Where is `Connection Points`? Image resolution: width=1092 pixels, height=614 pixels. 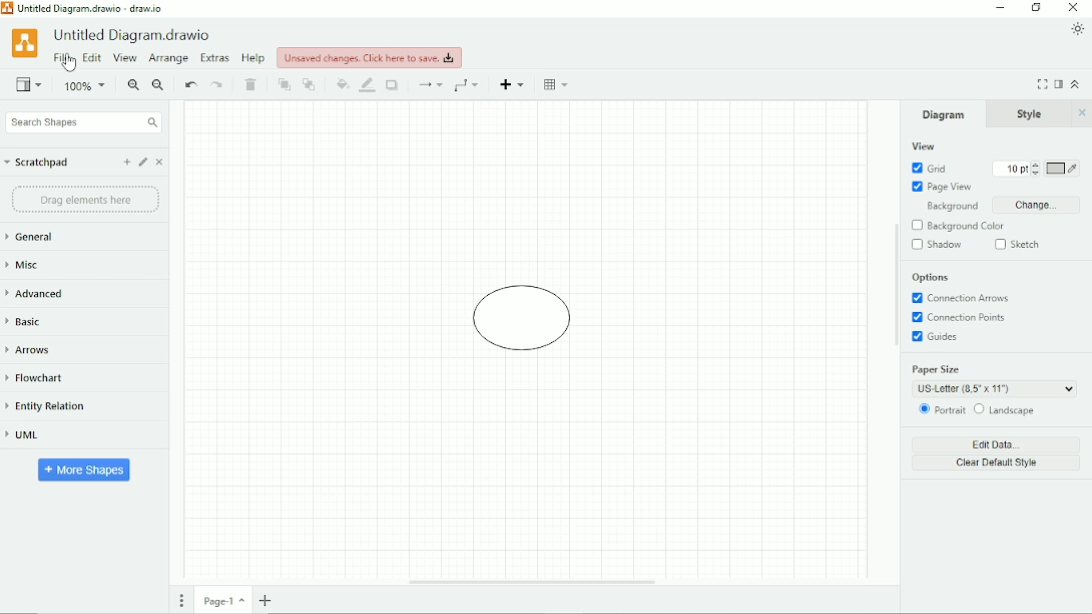 Connection Points is located at coordinates (963, 317).